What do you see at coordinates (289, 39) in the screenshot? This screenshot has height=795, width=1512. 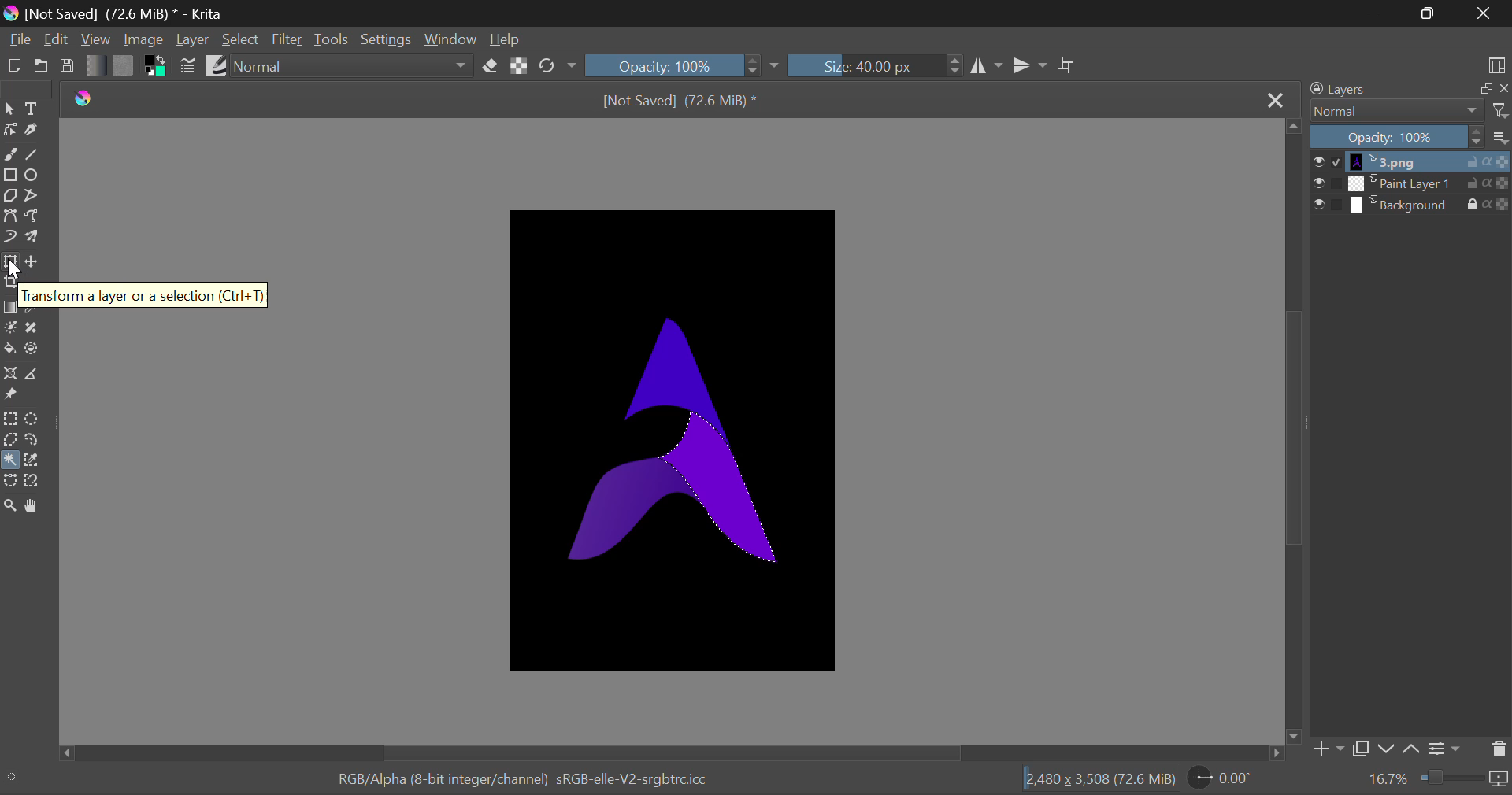 I see `Filter` at bounding box center [289, 39].